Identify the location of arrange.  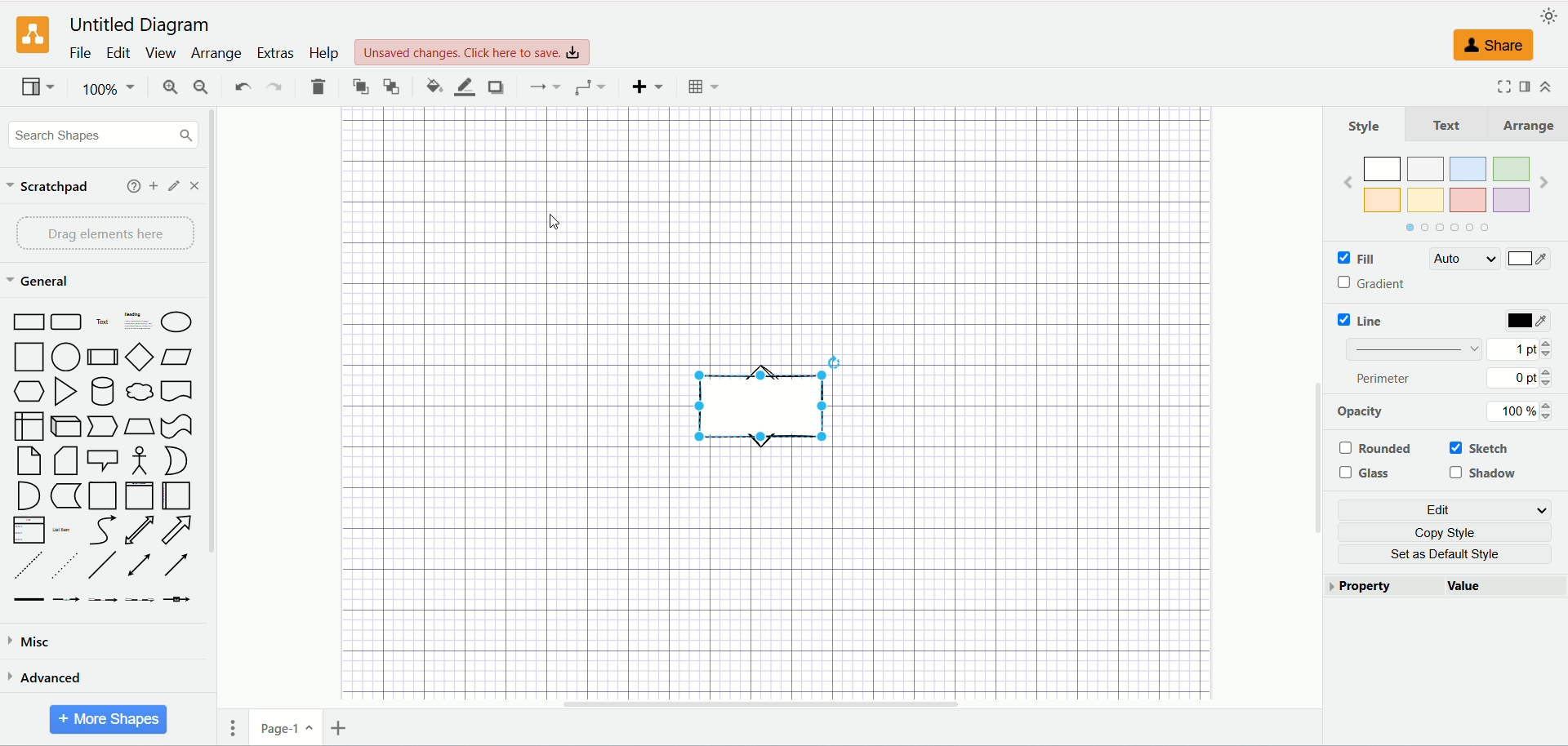
(216, 54).